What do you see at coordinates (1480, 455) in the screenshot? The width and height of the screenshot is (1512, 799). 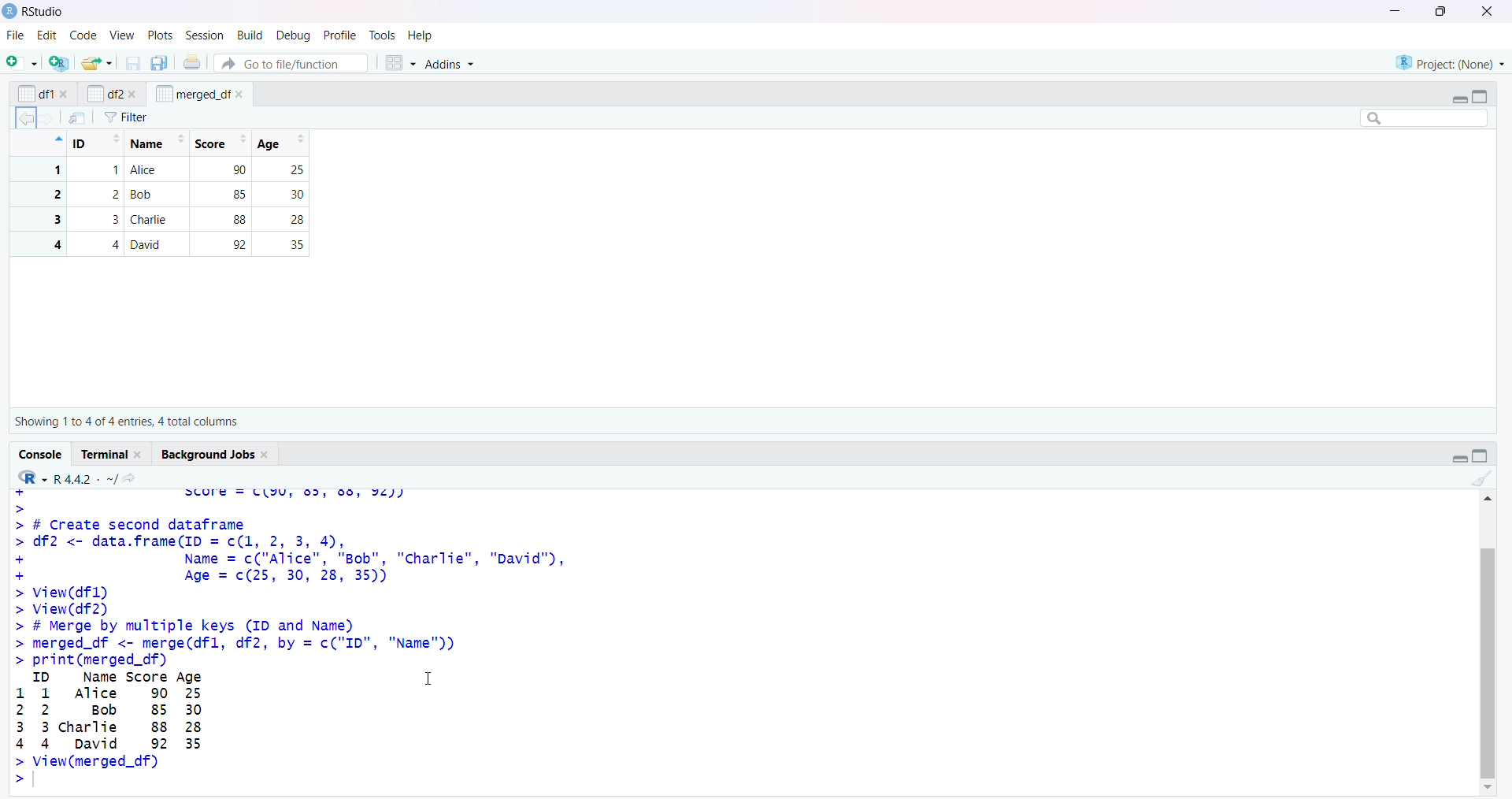 I see `toggle full view` at bounding box center [1480, 455].